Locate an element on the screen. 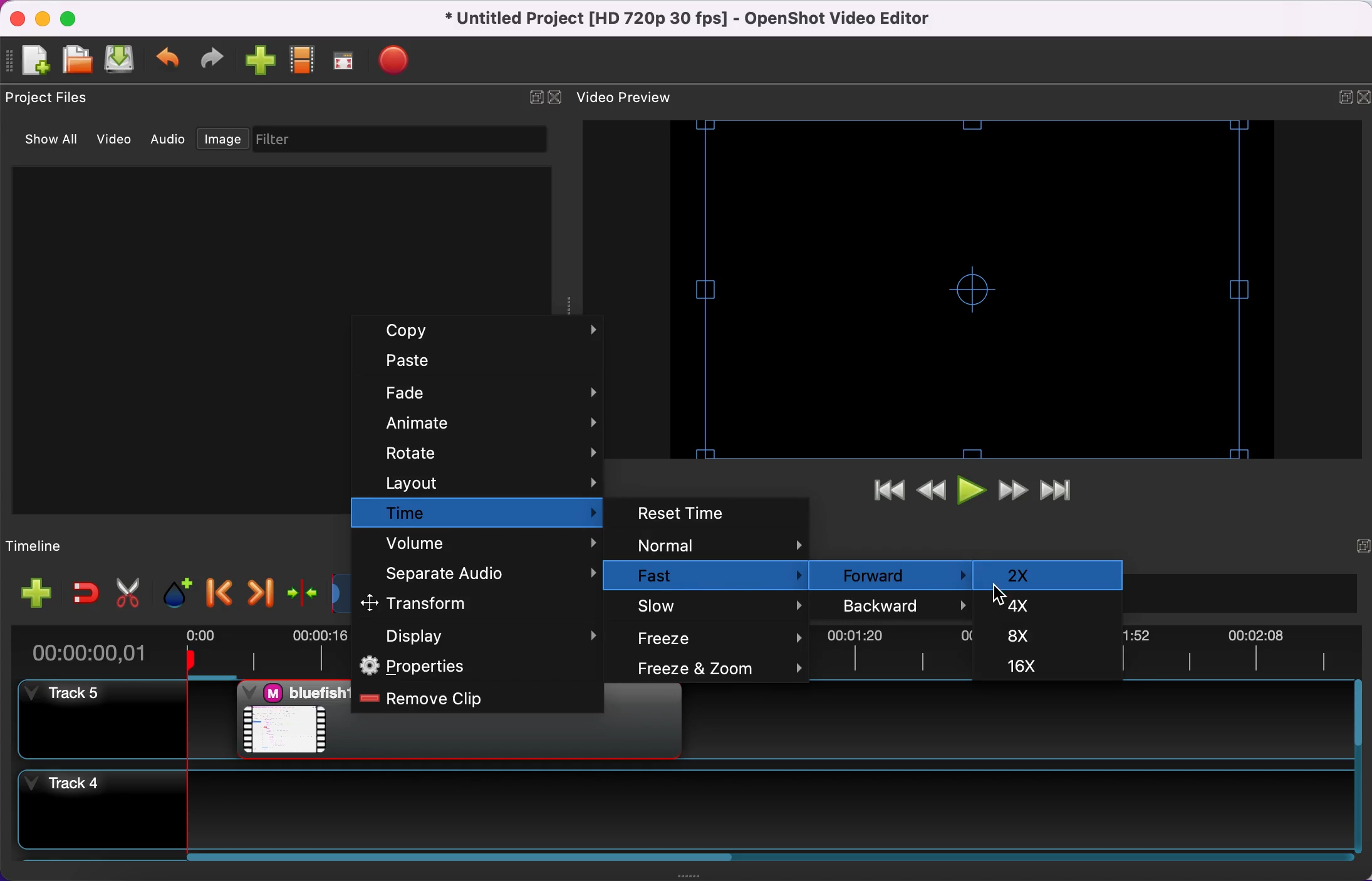 Image resolution: width=1372 pixels, height=881 pixels. fast is located at coordinates (715, 577).